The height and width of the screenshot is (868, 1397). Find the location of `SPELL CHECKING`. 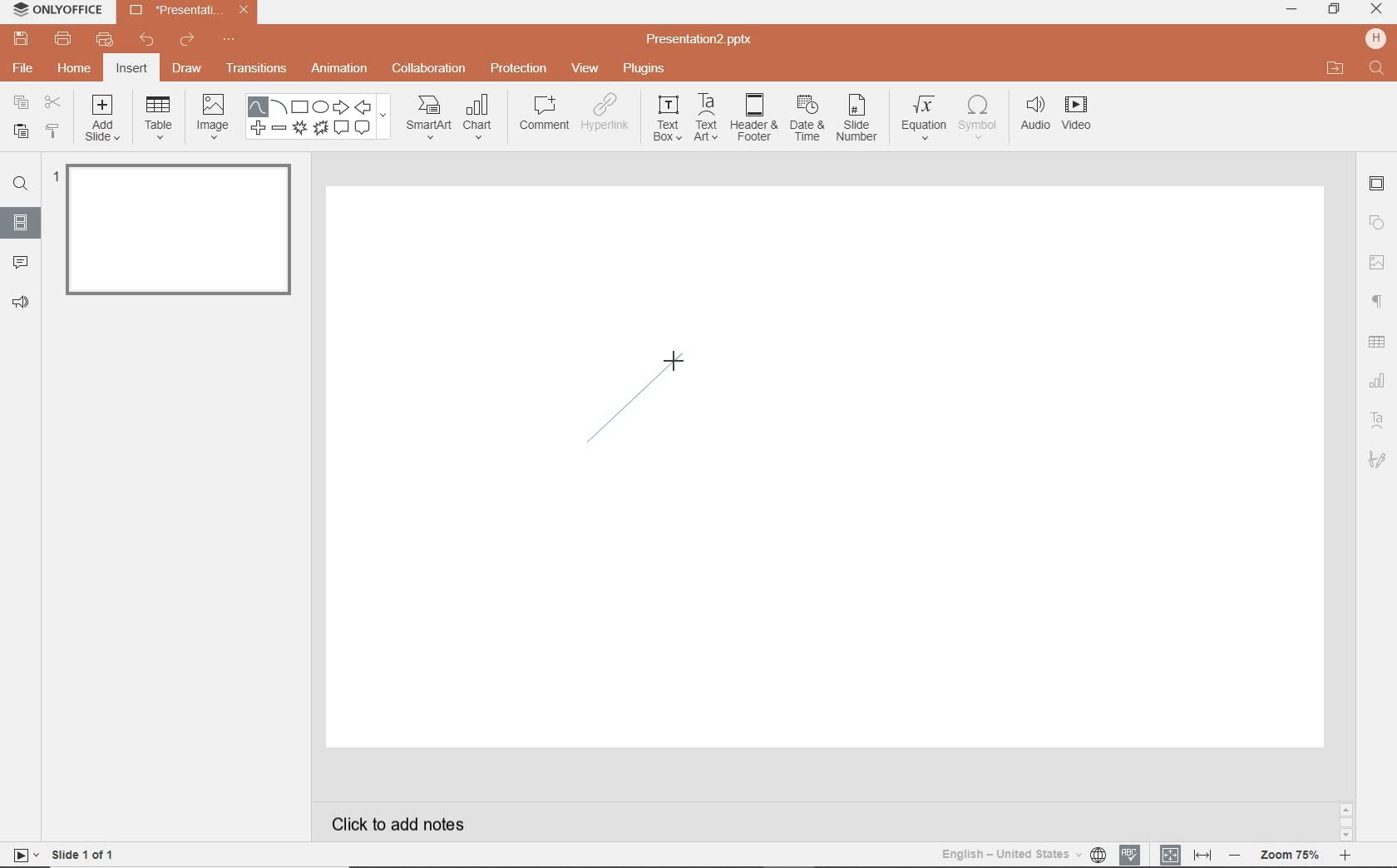

SPELL CHECKING is located at coordinates (1131, 853).